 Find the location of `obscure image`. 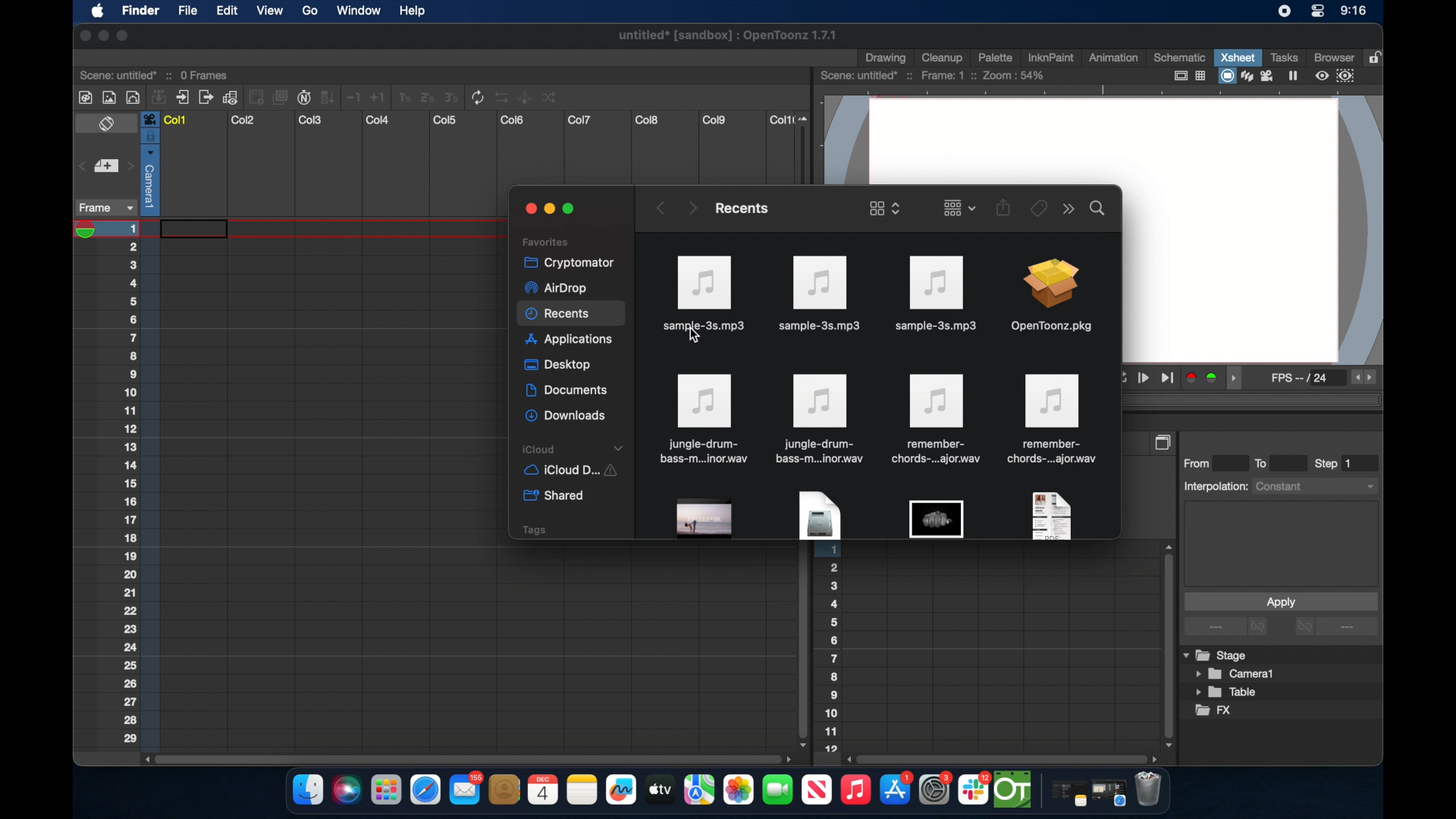

obscure image is located at coordinates (936, 519).